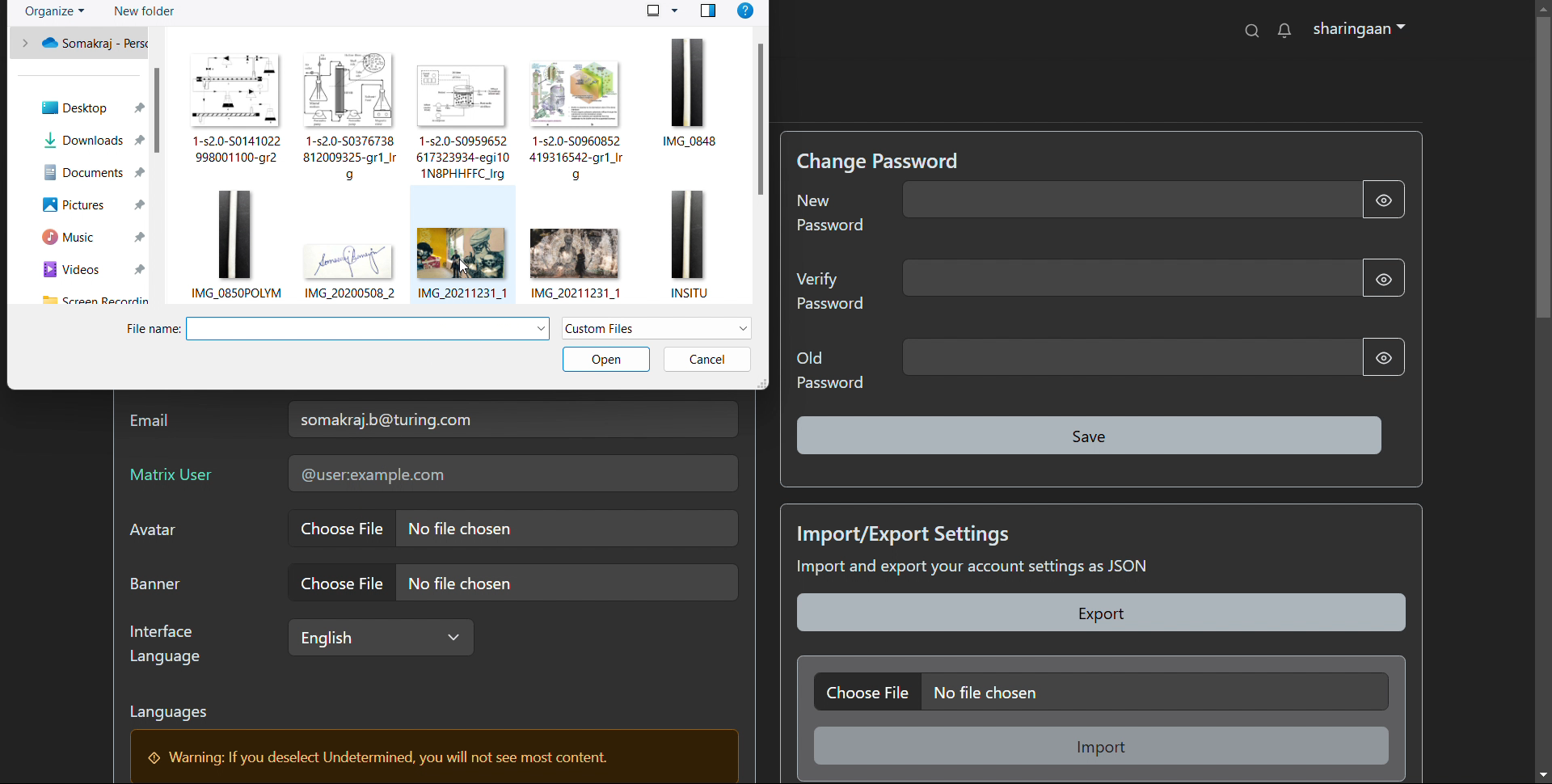  I want to click on image 4, so click(580, 123).